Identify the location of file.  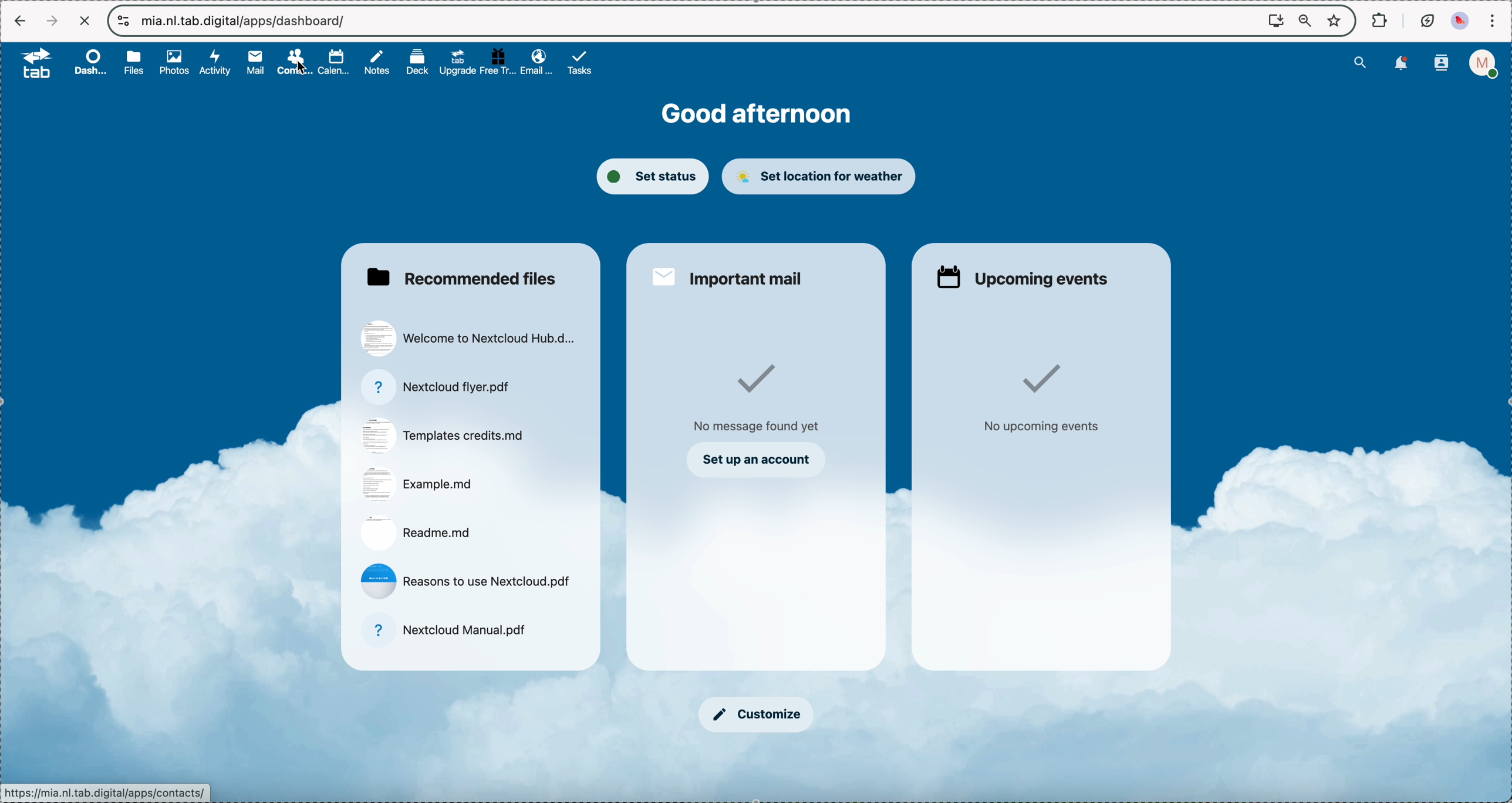
(467, 581).